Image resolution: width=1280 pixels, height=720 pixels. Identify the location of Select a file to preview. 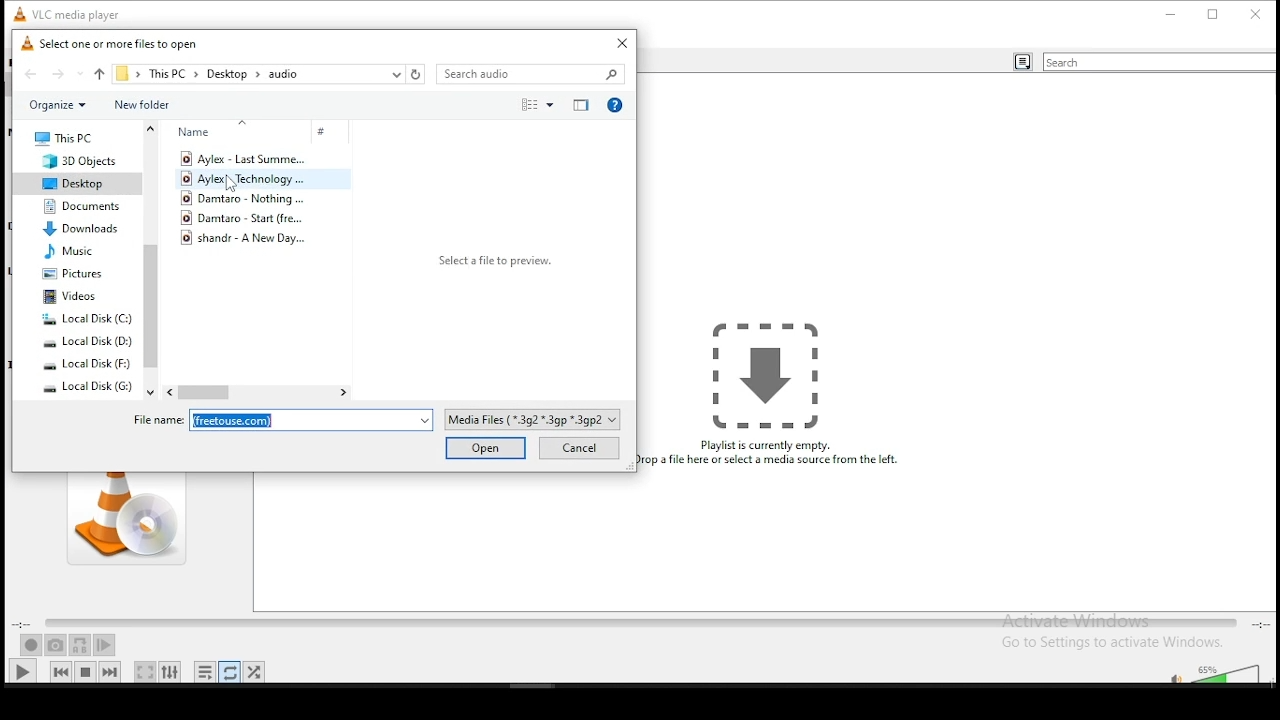
(493, 263).